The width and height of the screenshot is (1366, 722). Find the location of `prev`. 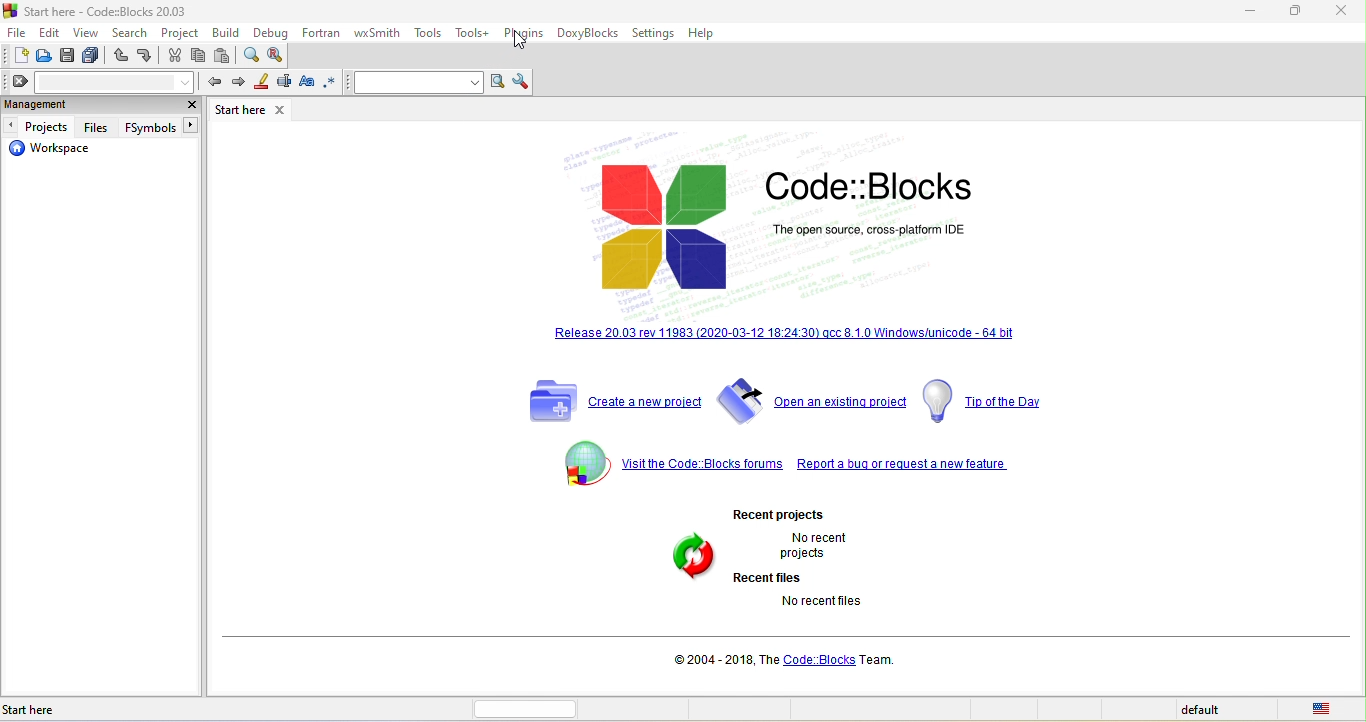

prev is located at coordinates (211, 80).